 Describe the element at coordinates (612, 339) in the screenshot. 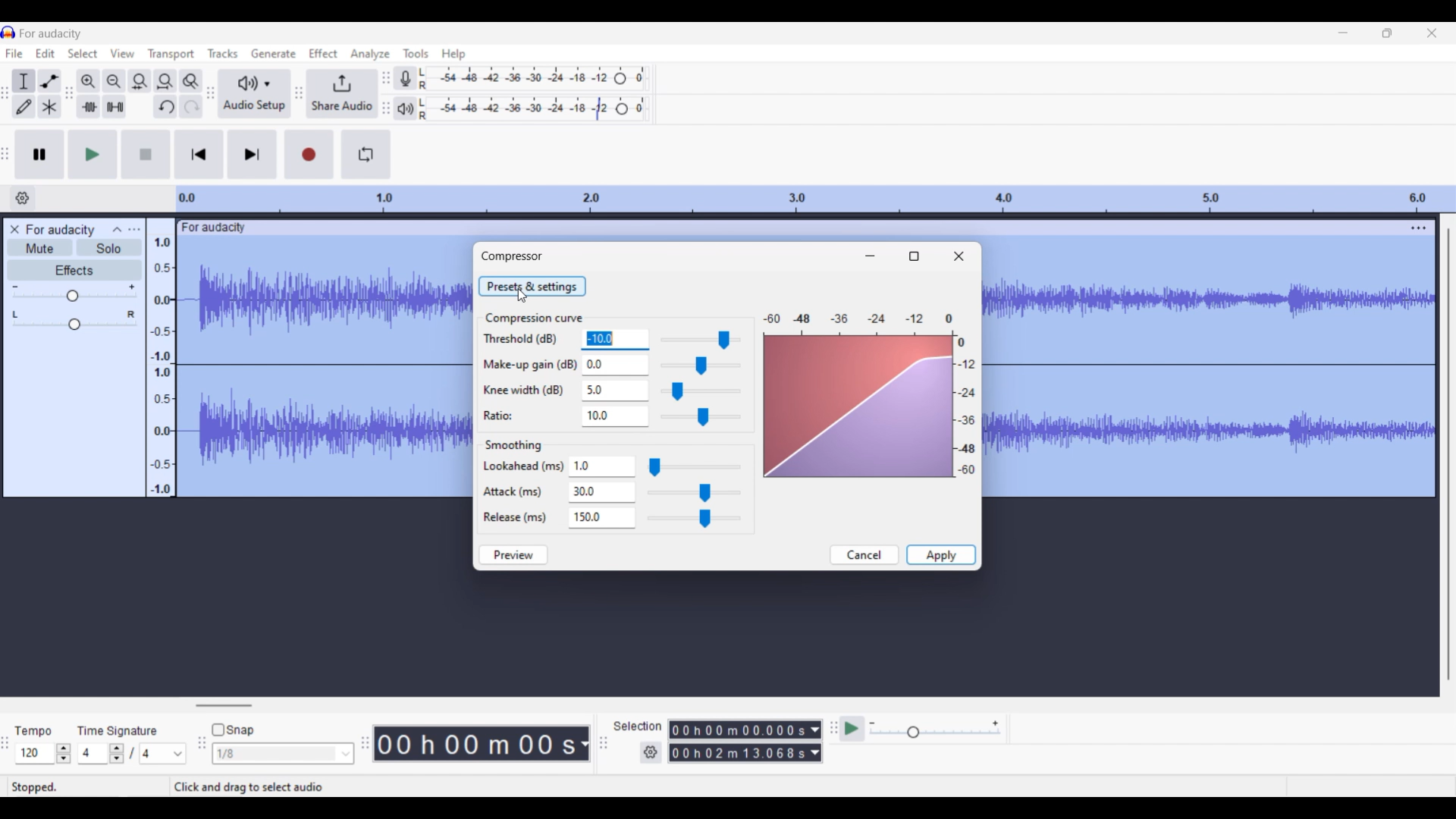

I see `Text boxe to type in Threshold` at that location.